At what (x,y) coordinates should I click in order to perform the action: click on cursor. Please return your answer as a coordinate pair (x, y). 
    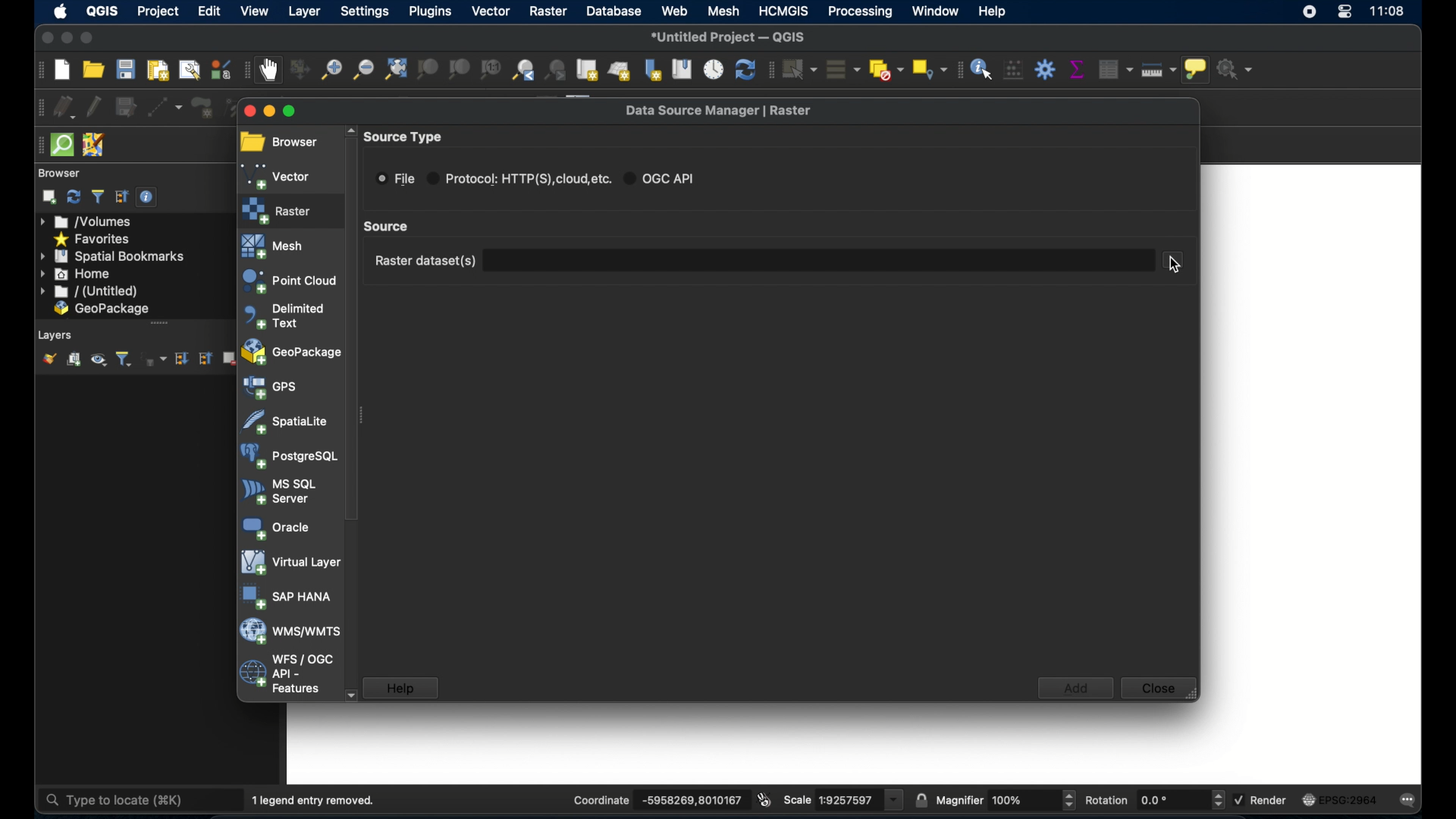
    Looking at the image, I should click on (1175, 265).